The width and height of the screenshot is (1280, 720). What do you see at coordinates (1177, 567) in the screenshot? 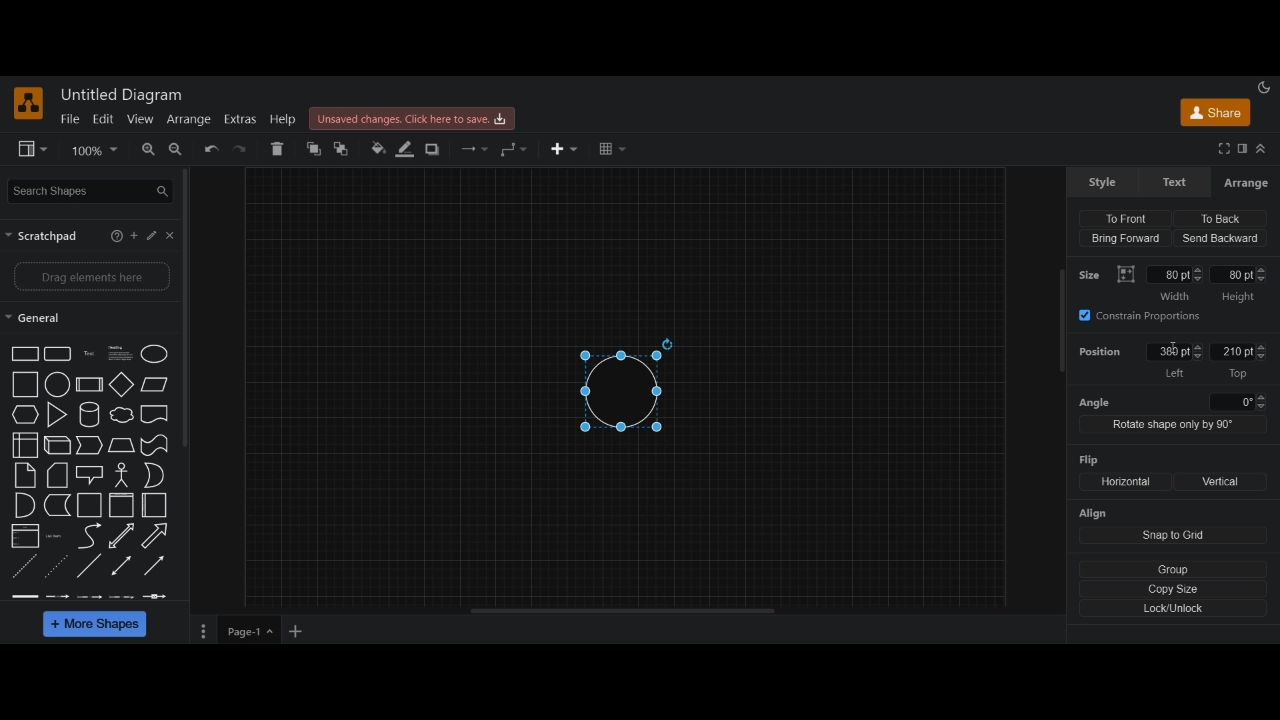
I see `group` at bounding box center [1177, 567].